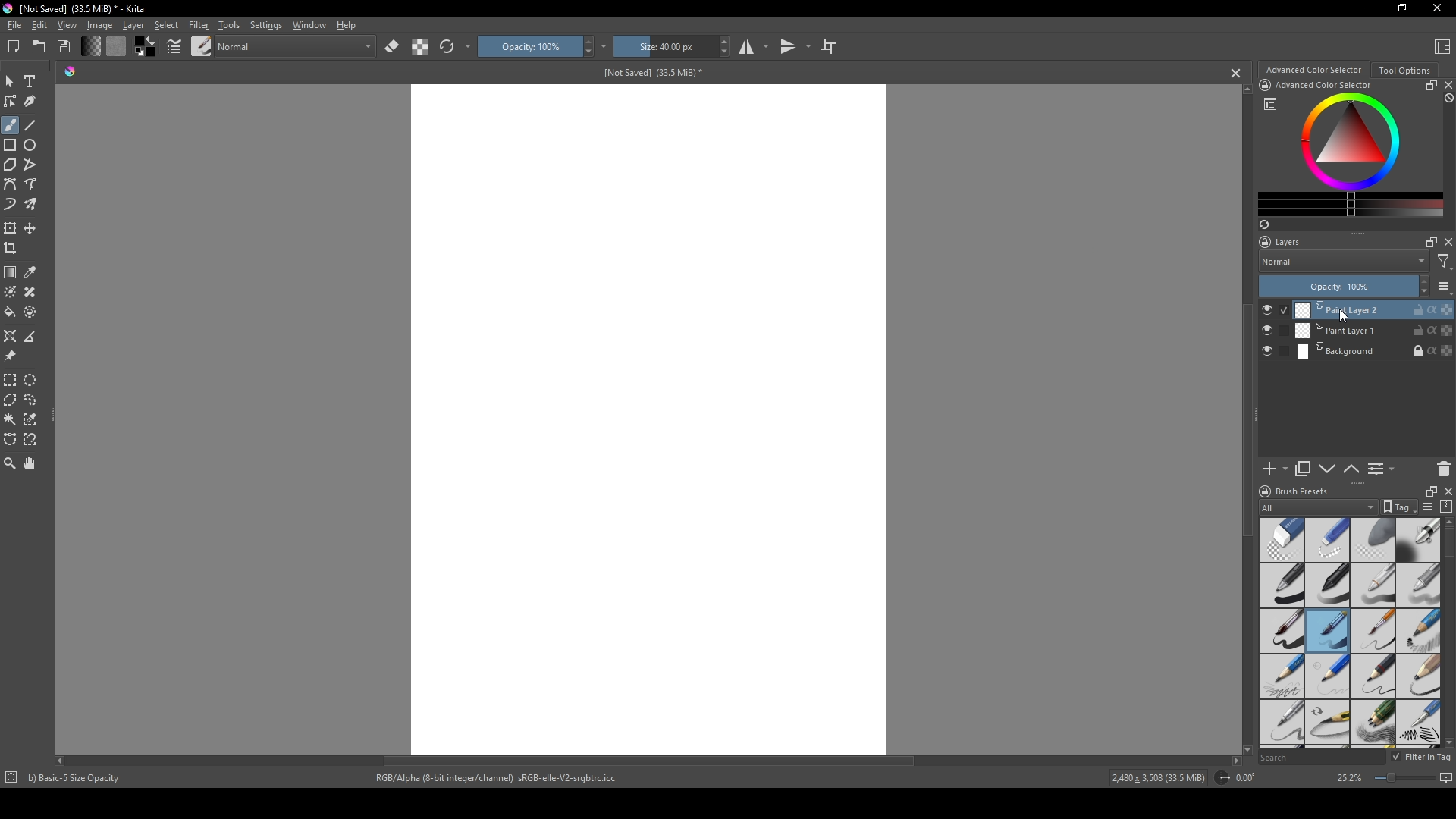 Image resolution: width=1456 pixels, height=819 pixels. I want to click on Filter in tag, so click(1423, 758).